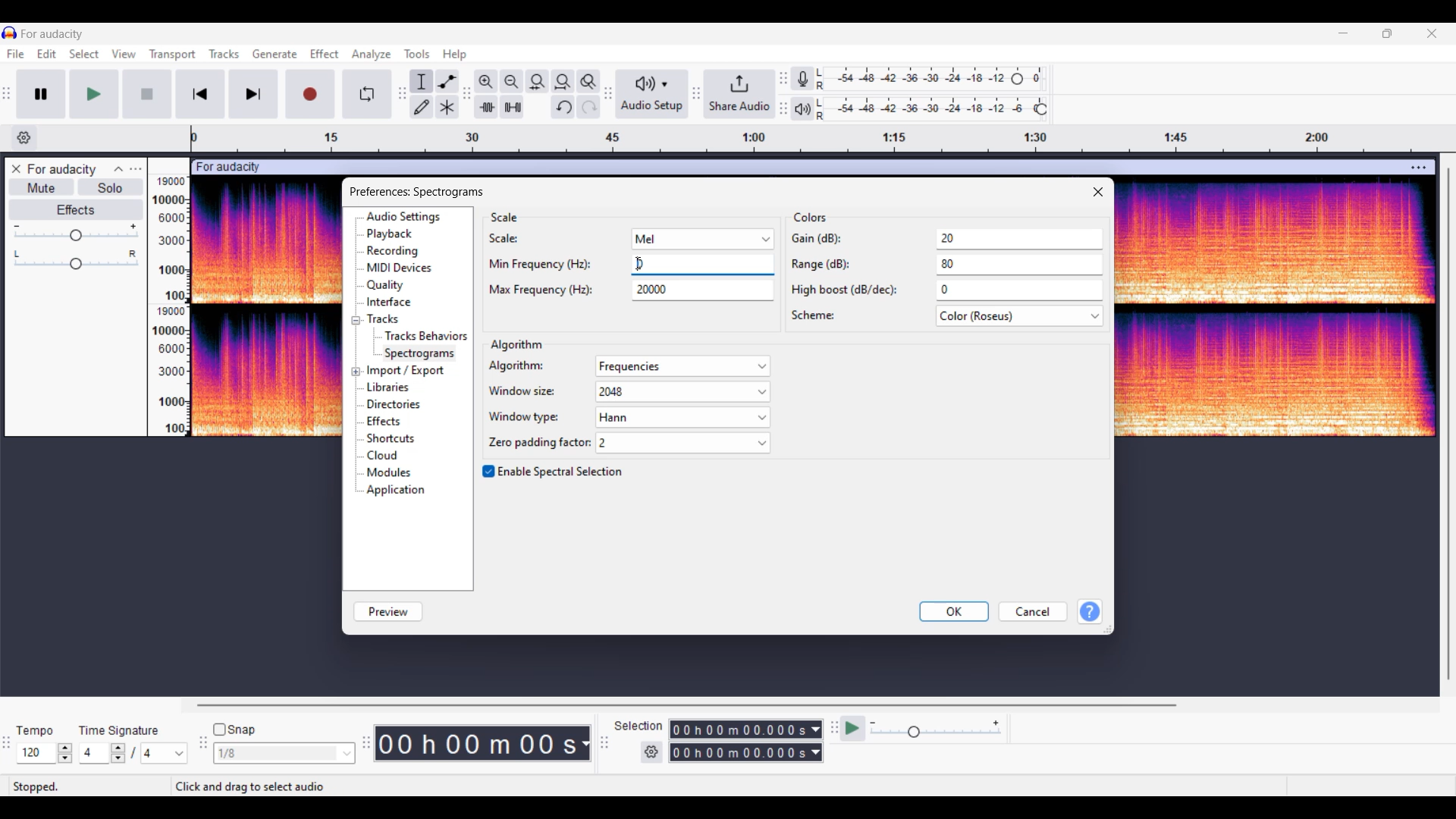  Describe the element at coordinates (201, 94) in the screenshot. I see `Skip/Select to start` at that location.